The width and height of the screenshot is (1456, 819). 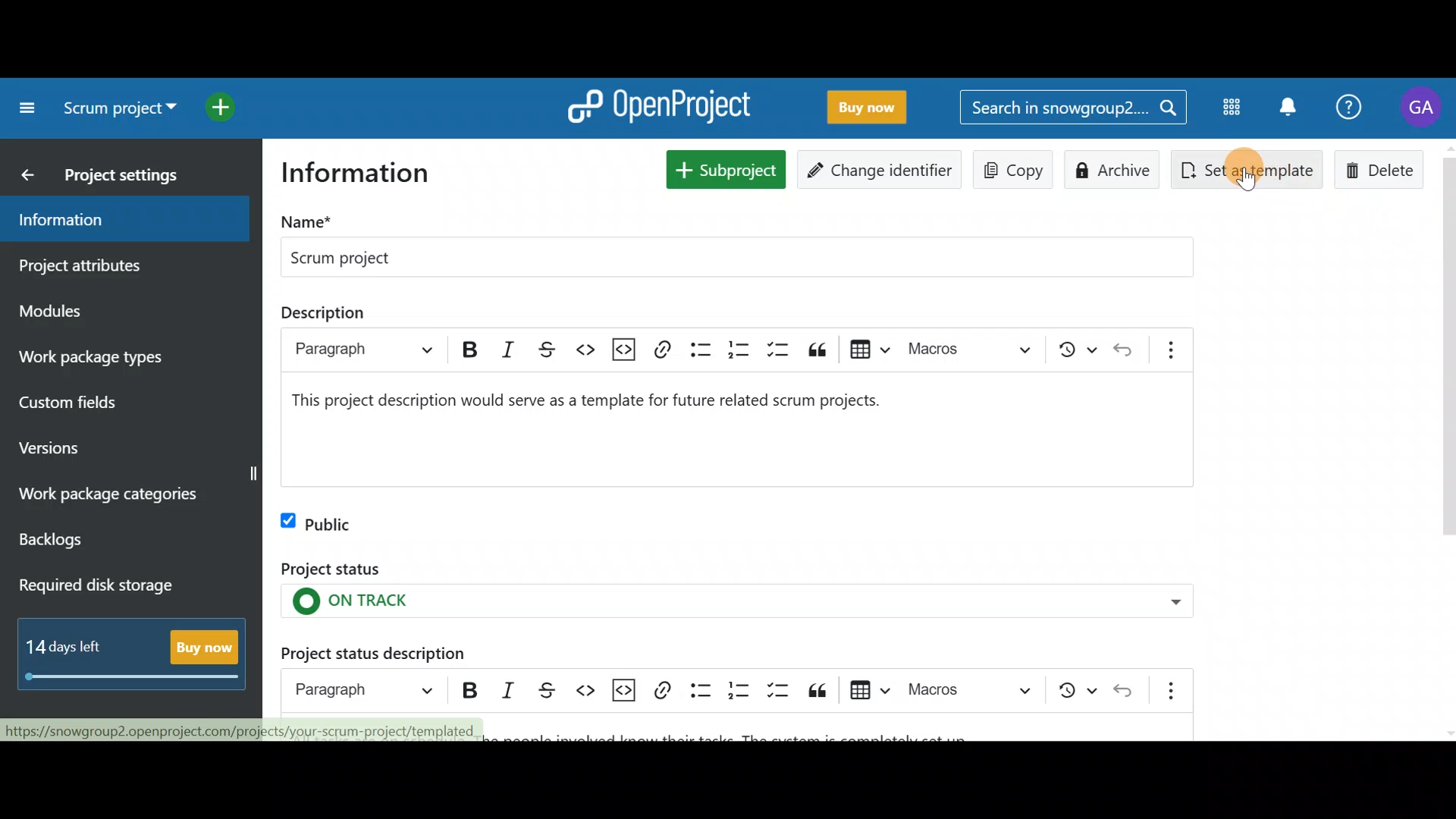 I want to click on Search bar, so click(x=1072, y=110).